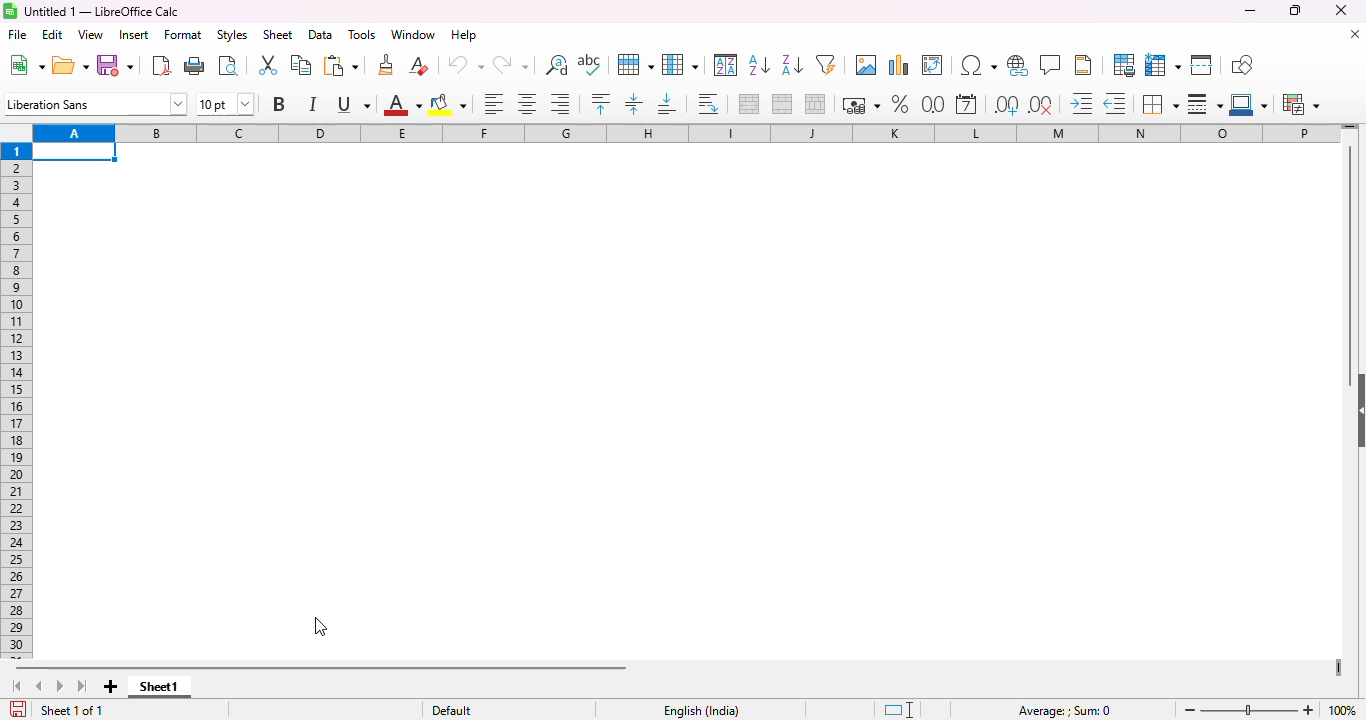 The image size is (1366, 720). What do you see at coordinates (1163, 65) in the screenshot?
I see `freeze rows and columns` at bounding box center [1163, 65].